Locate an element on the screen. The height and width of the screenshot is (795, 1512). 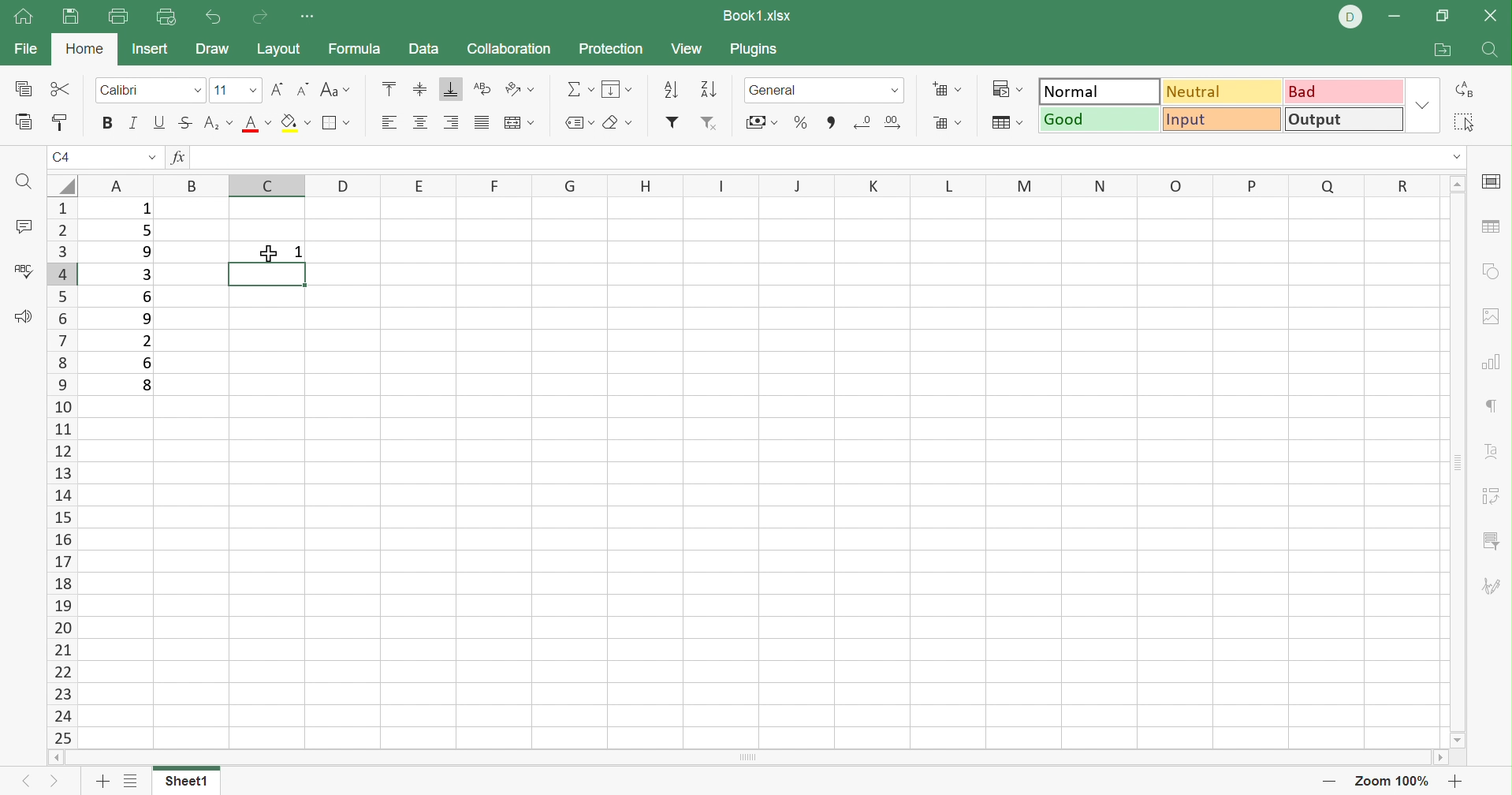
Quick print is located at coordinates (167, 19).